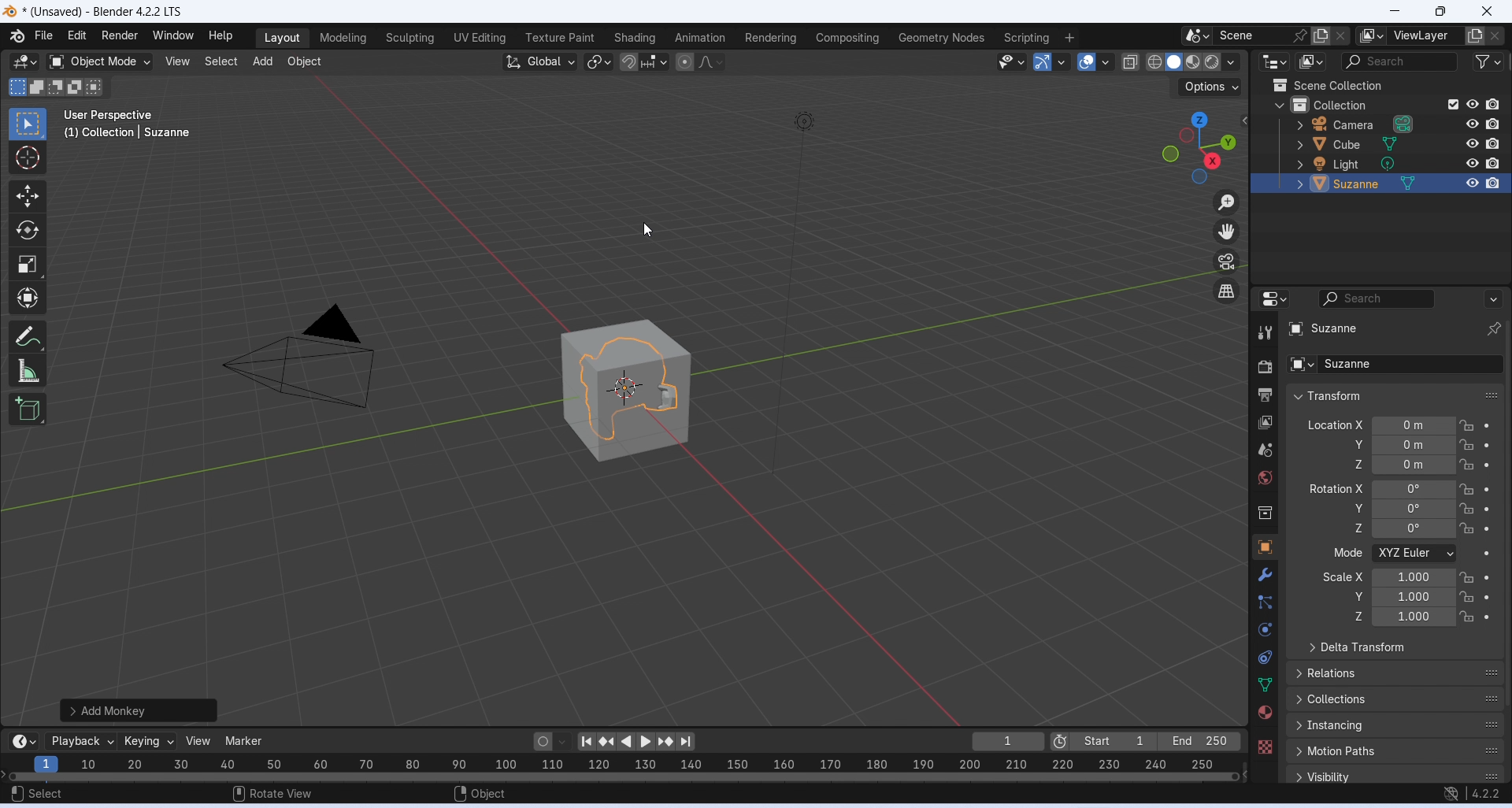  What do you see at coordinates (1398, 62) in the screenshot?
I see `display filter` at bounding box center [1398, 62].